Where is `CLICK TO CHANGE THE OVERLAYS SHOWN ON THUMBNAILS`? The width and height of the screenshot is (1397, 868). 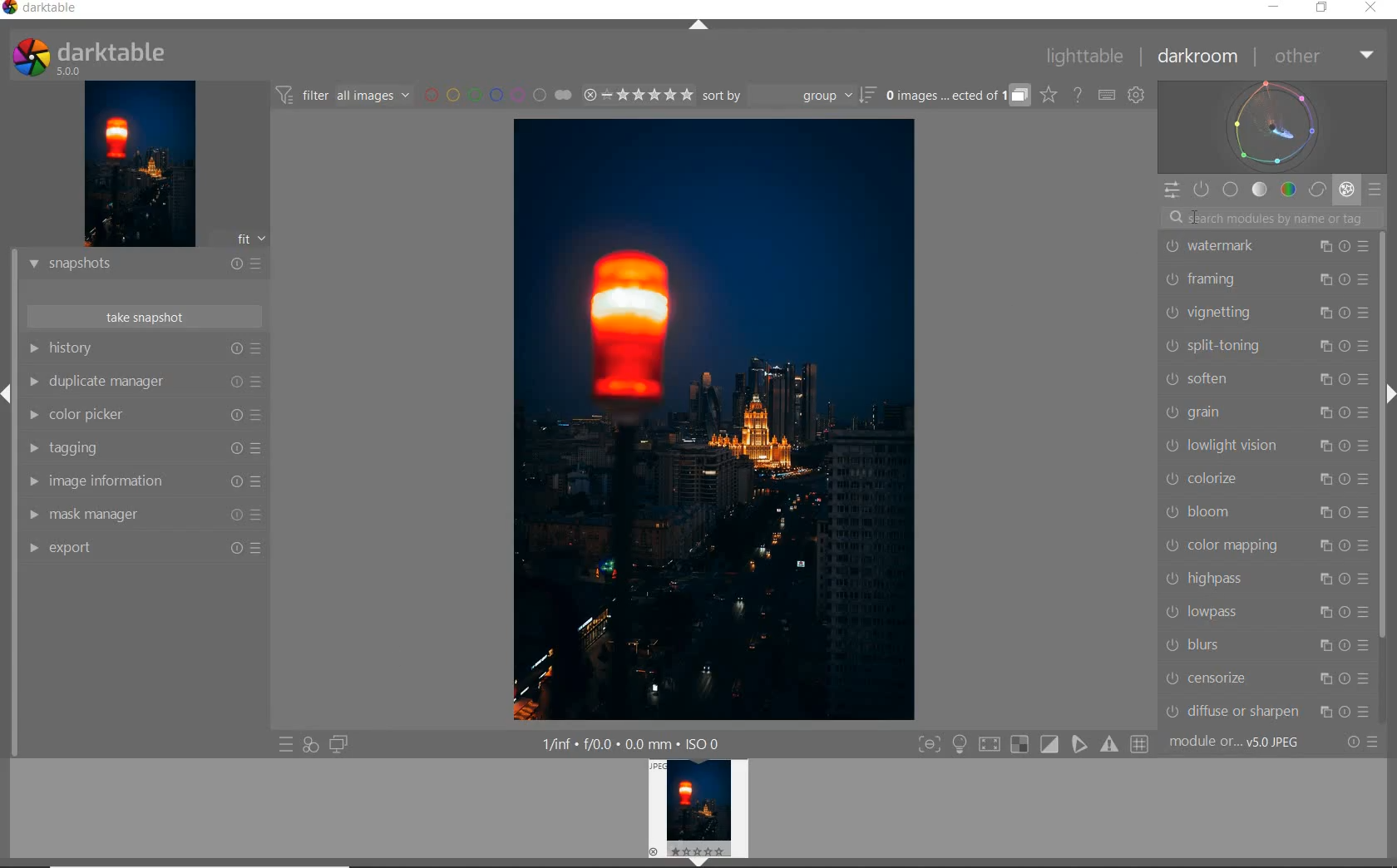
CLICK TO CHANGE THE OVERLAYS SHOWN ON THUMBNAILS is located at coordinates (1048, 96).